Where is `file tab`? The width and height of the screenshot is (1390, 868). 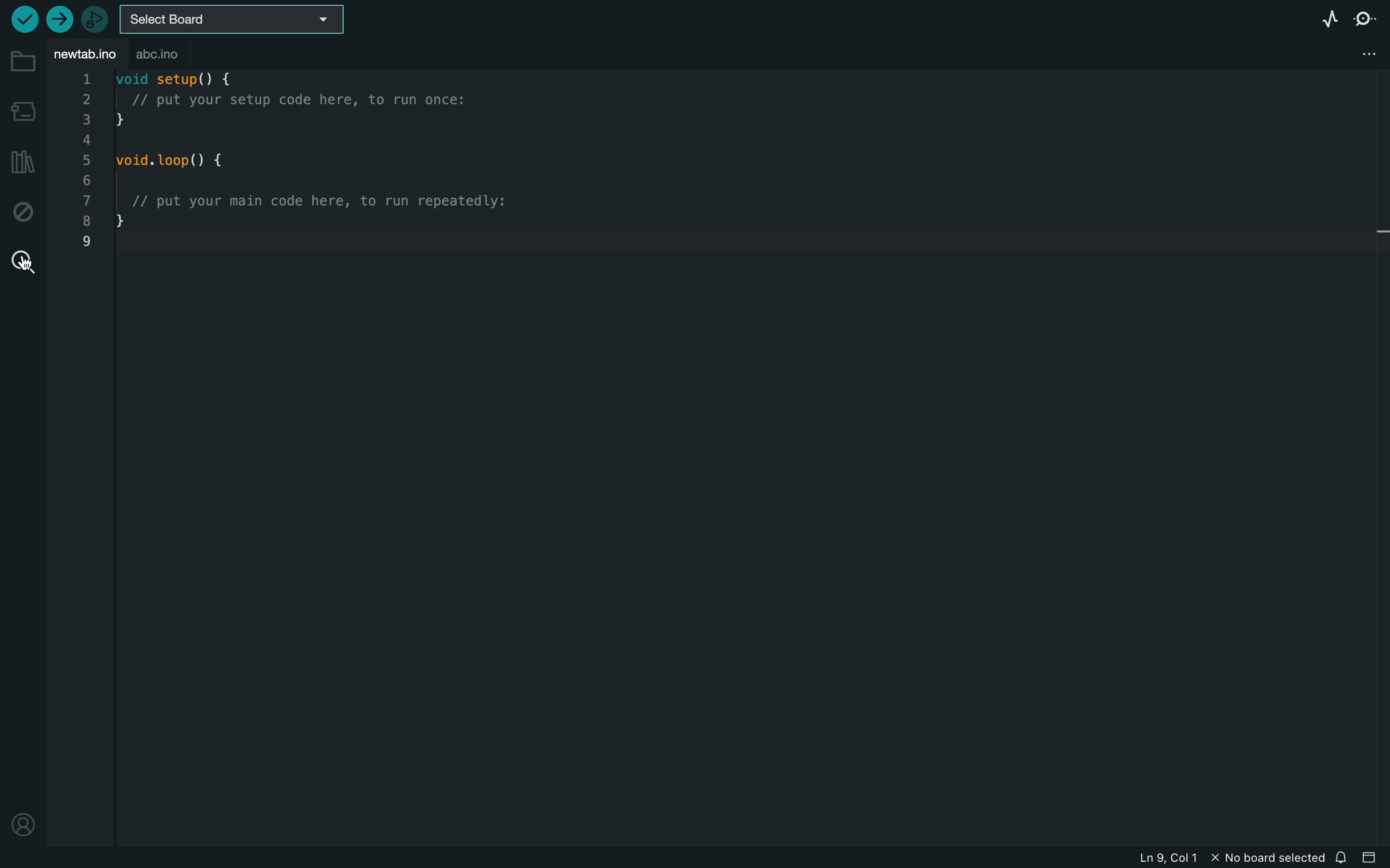
file tab is located at coordinates (87, 55).